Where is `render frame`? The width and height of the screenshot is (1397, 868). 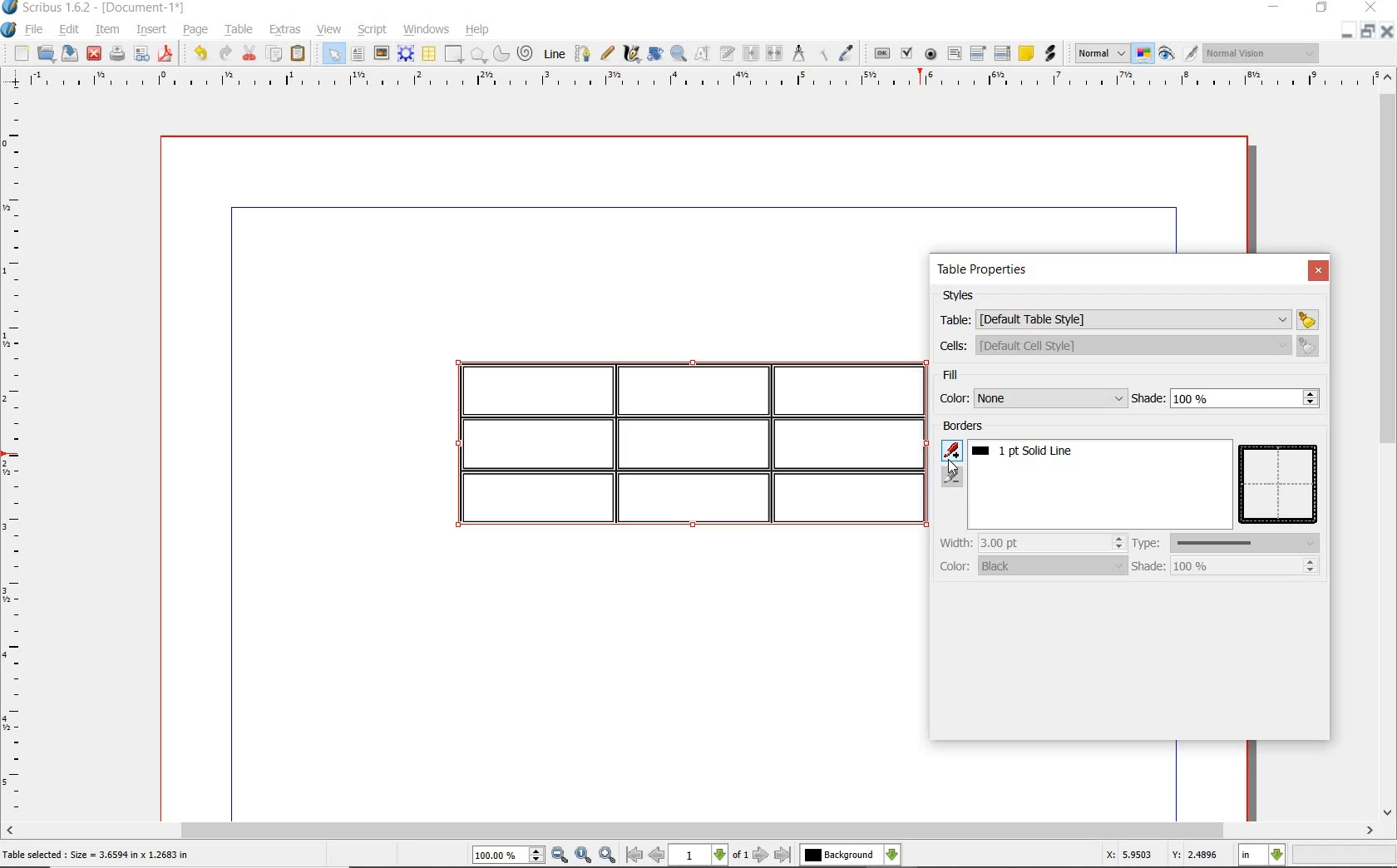 render frame is located at coordinates (406, 55).